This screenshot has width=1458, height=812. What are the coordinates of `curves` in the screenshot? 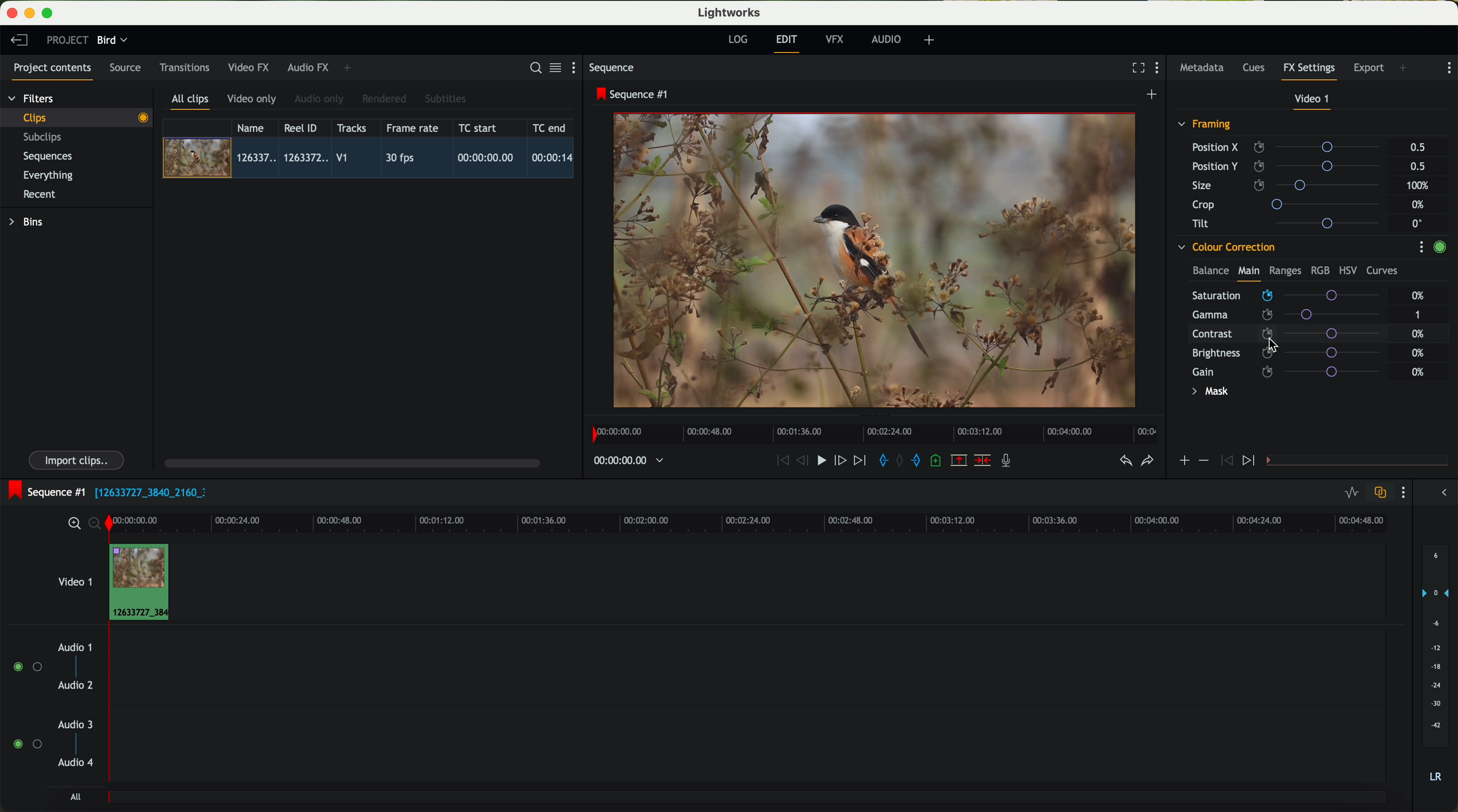 It's located at (1382, 271).